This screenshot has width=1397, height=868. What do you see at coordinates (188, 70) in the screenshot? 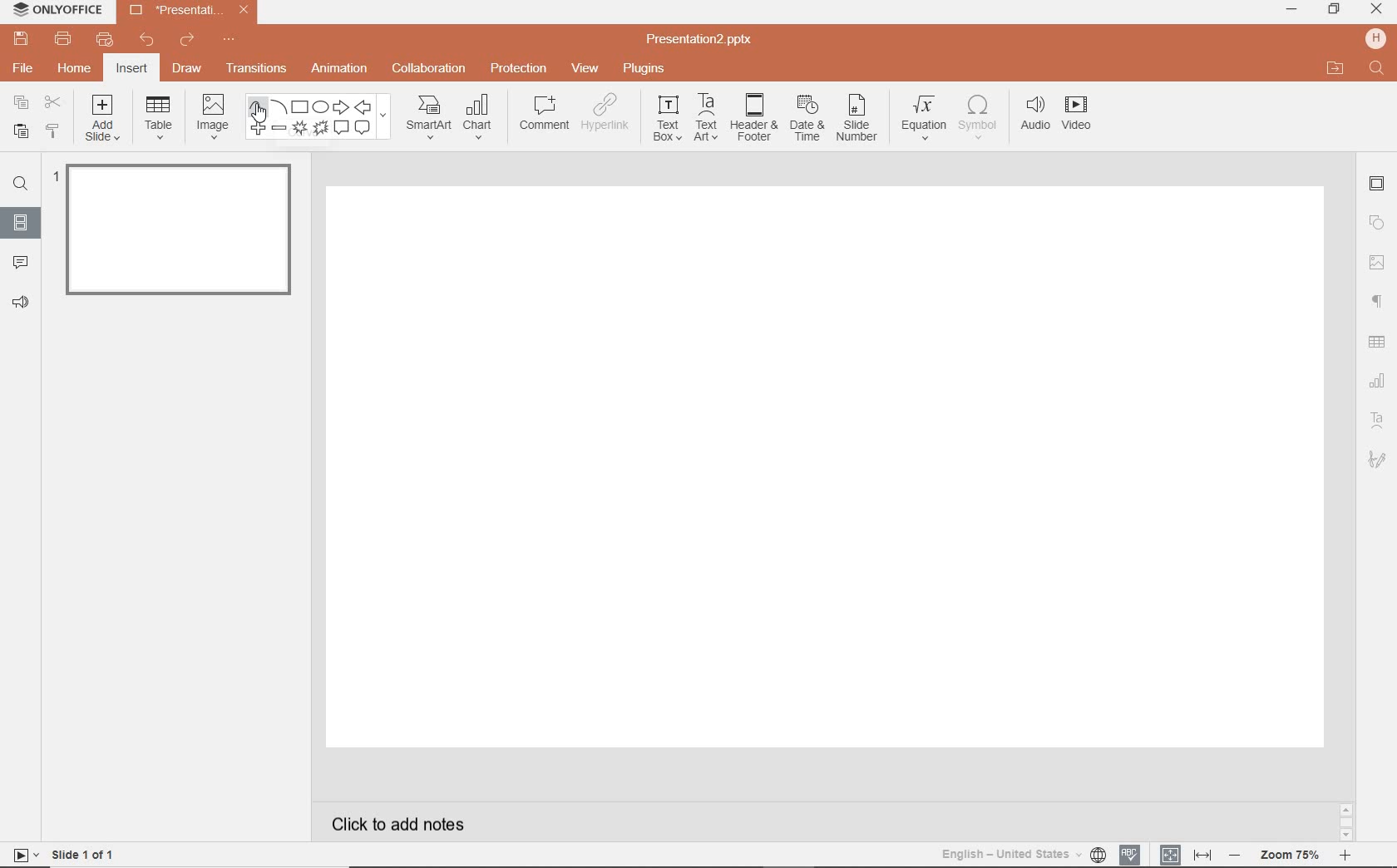
I see `DRAW` at bounding box center [188, 70].